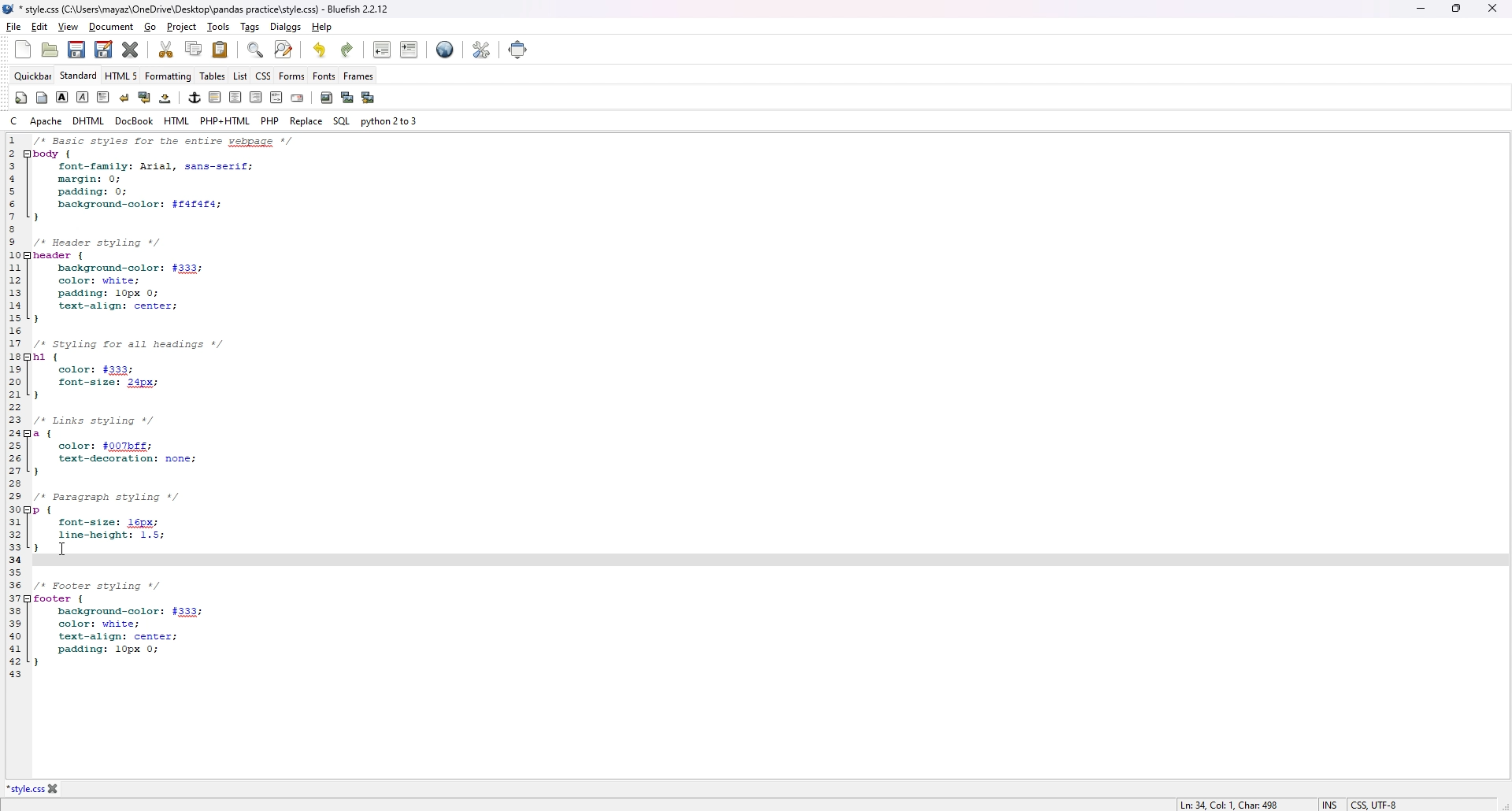 The image size is (1512, 811). What do you see at coordinates (124, 98) in the screenshot?
I see `break` at bounding box center [124, 98].